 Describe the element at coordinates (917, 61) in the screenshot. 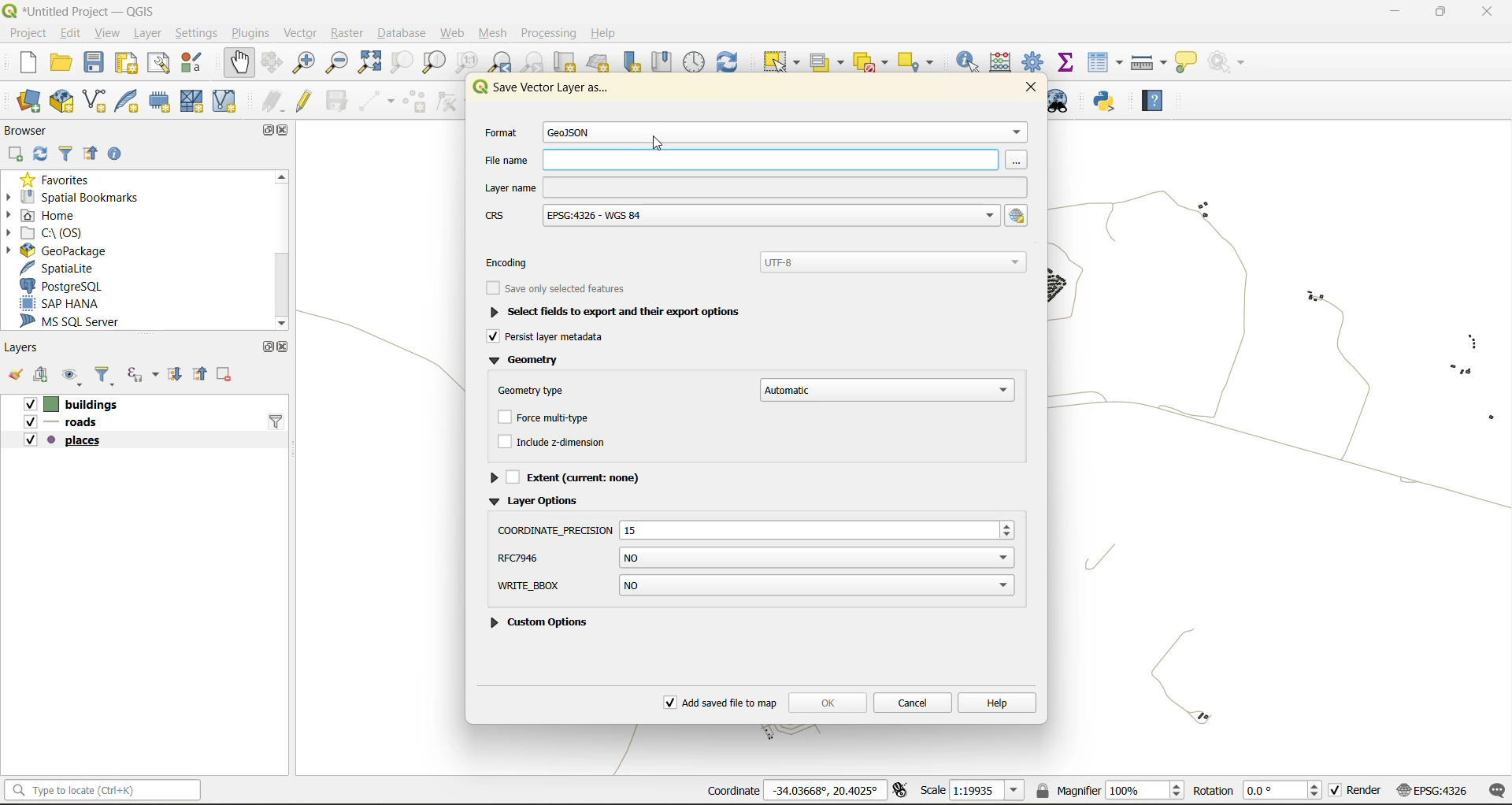

I see `select location` at that location.